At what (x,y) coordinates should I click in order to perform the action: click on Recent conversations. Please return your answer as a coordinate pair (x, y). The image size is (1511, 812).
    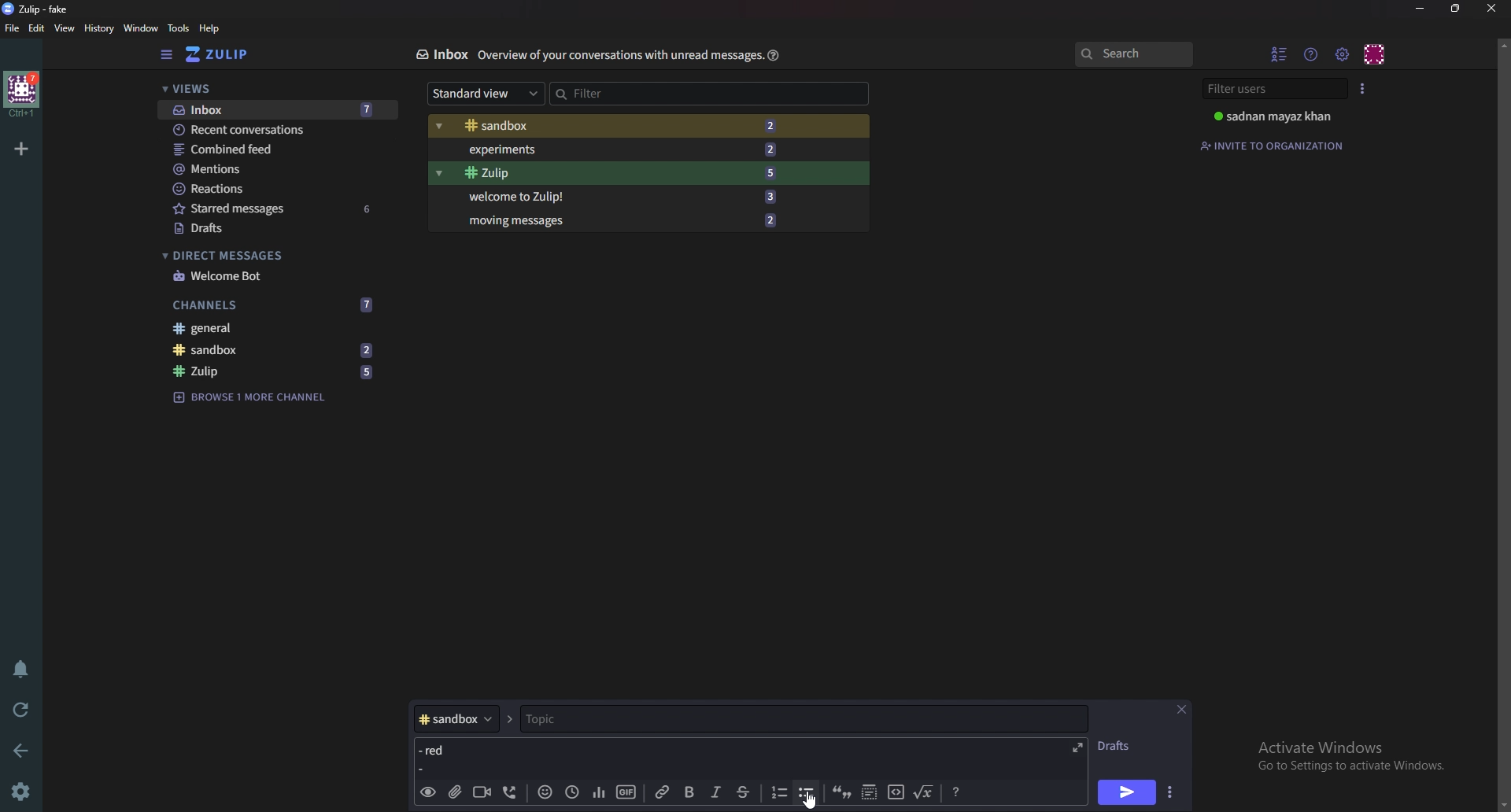
    Looking at the image, I should click on (279, 129).